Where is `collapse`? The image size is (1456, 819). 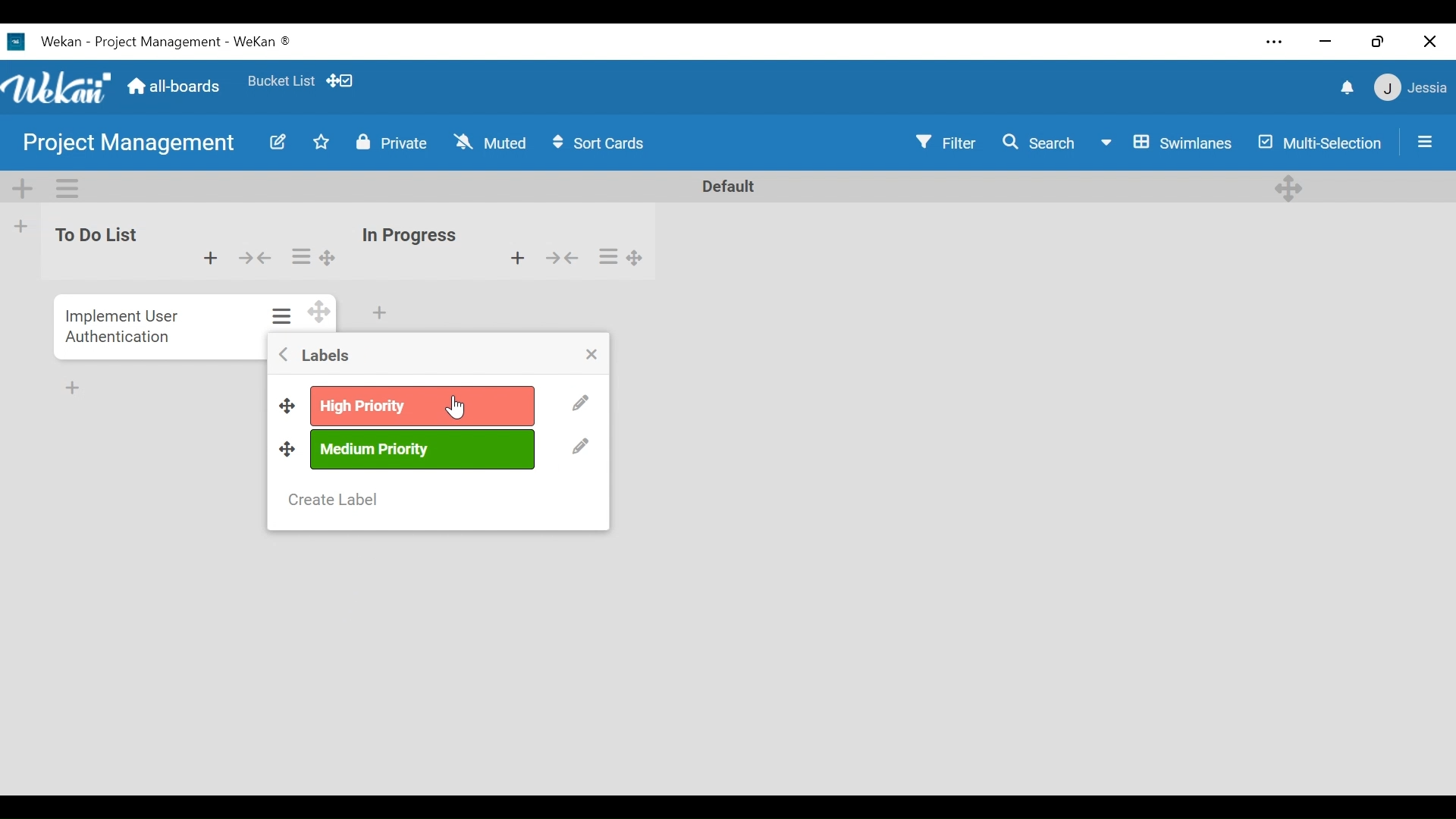
collapse is located at coordinates (564, 259).